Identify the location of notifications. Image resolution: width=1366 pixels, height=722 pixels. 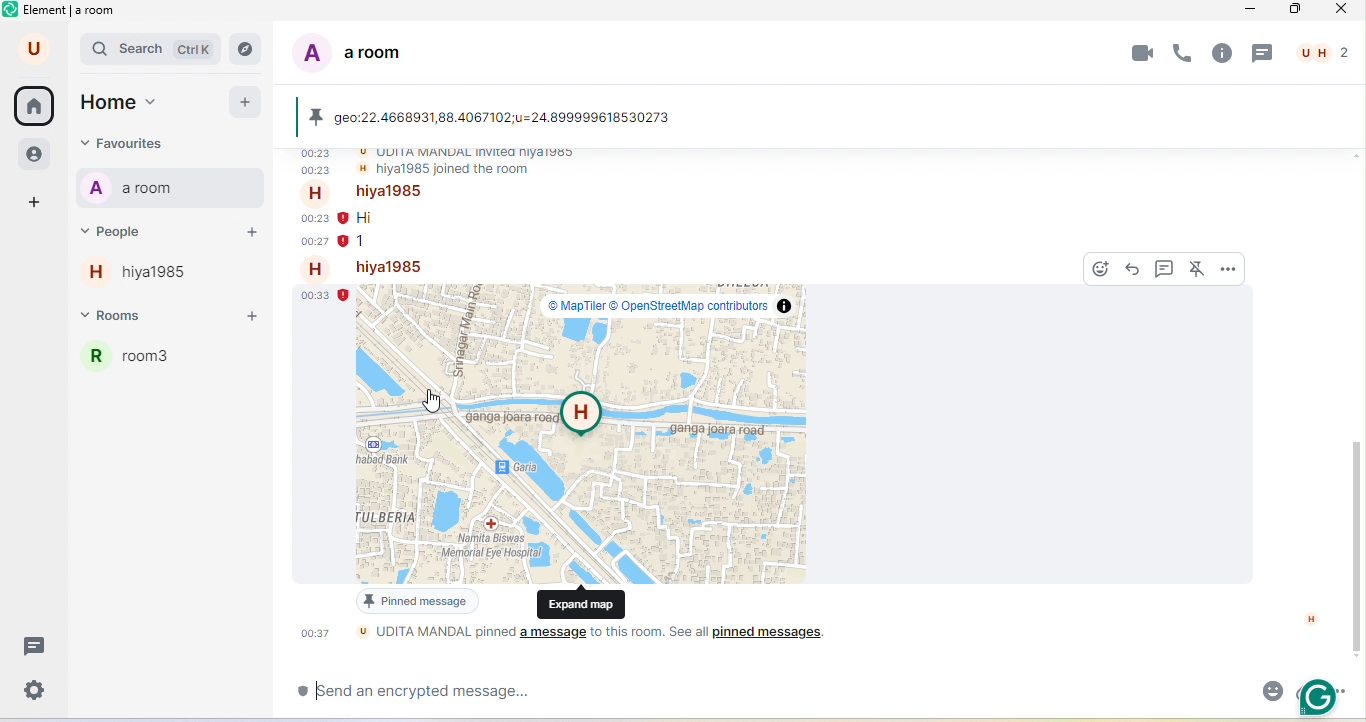
(254, 187).